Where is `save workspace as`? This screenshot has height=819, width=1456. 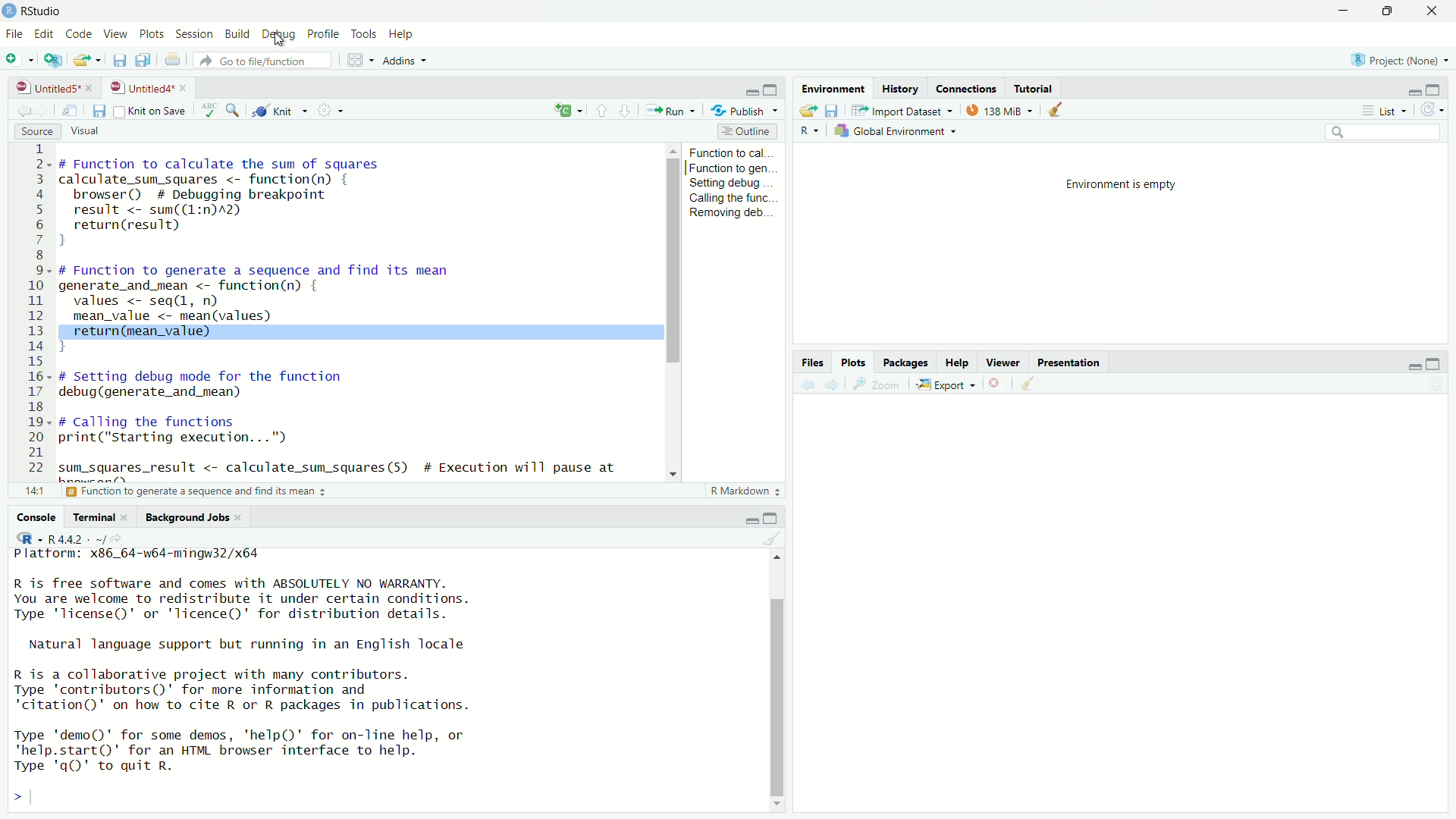 save workspace as is located at coordinates (835, 111).